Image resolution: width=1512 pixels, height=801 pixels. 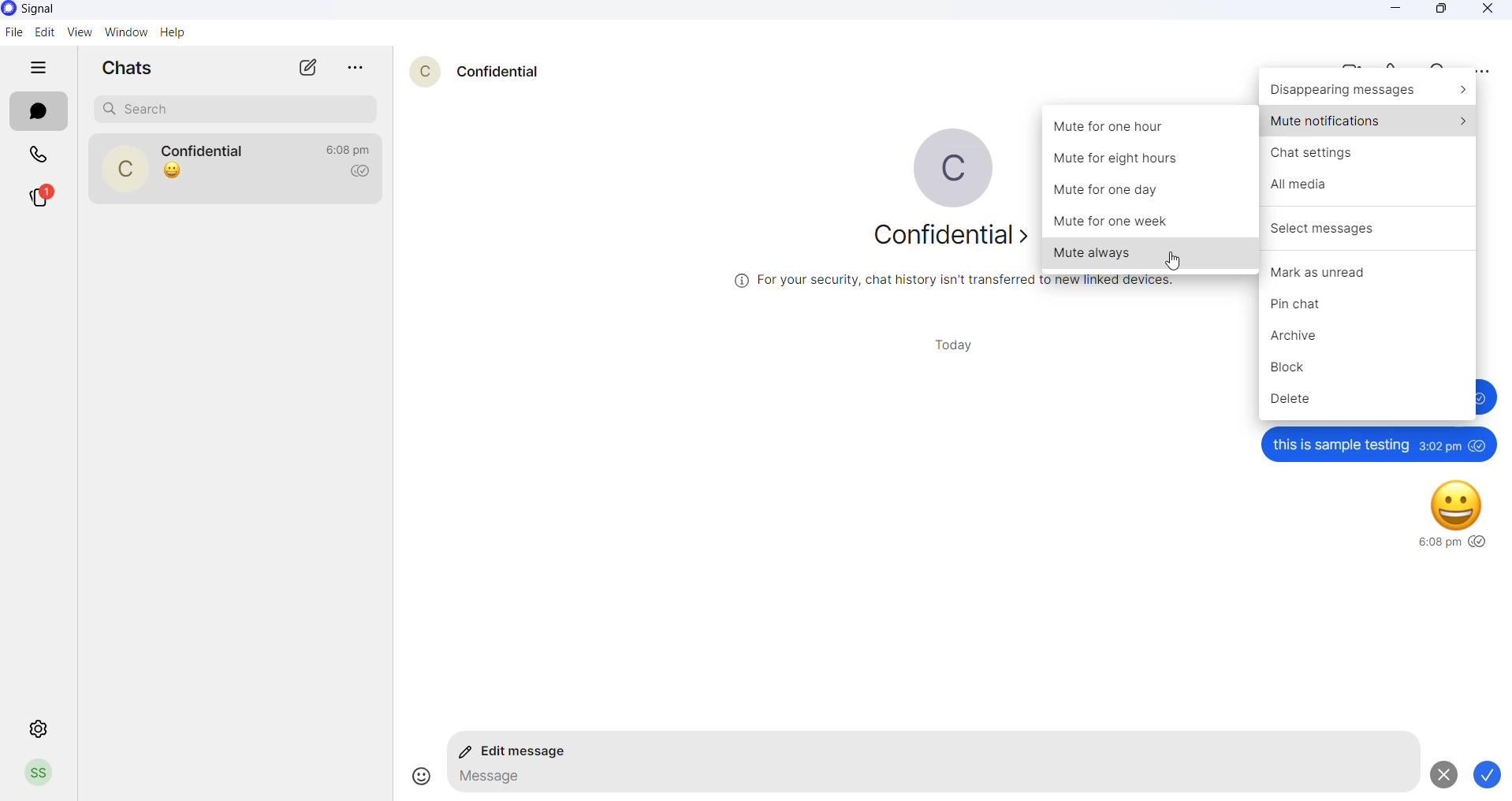 What do you see at coordinates (1149, 161) in the screenshot?
I see `mute for eight hours` at bounding box center [1149, 161].